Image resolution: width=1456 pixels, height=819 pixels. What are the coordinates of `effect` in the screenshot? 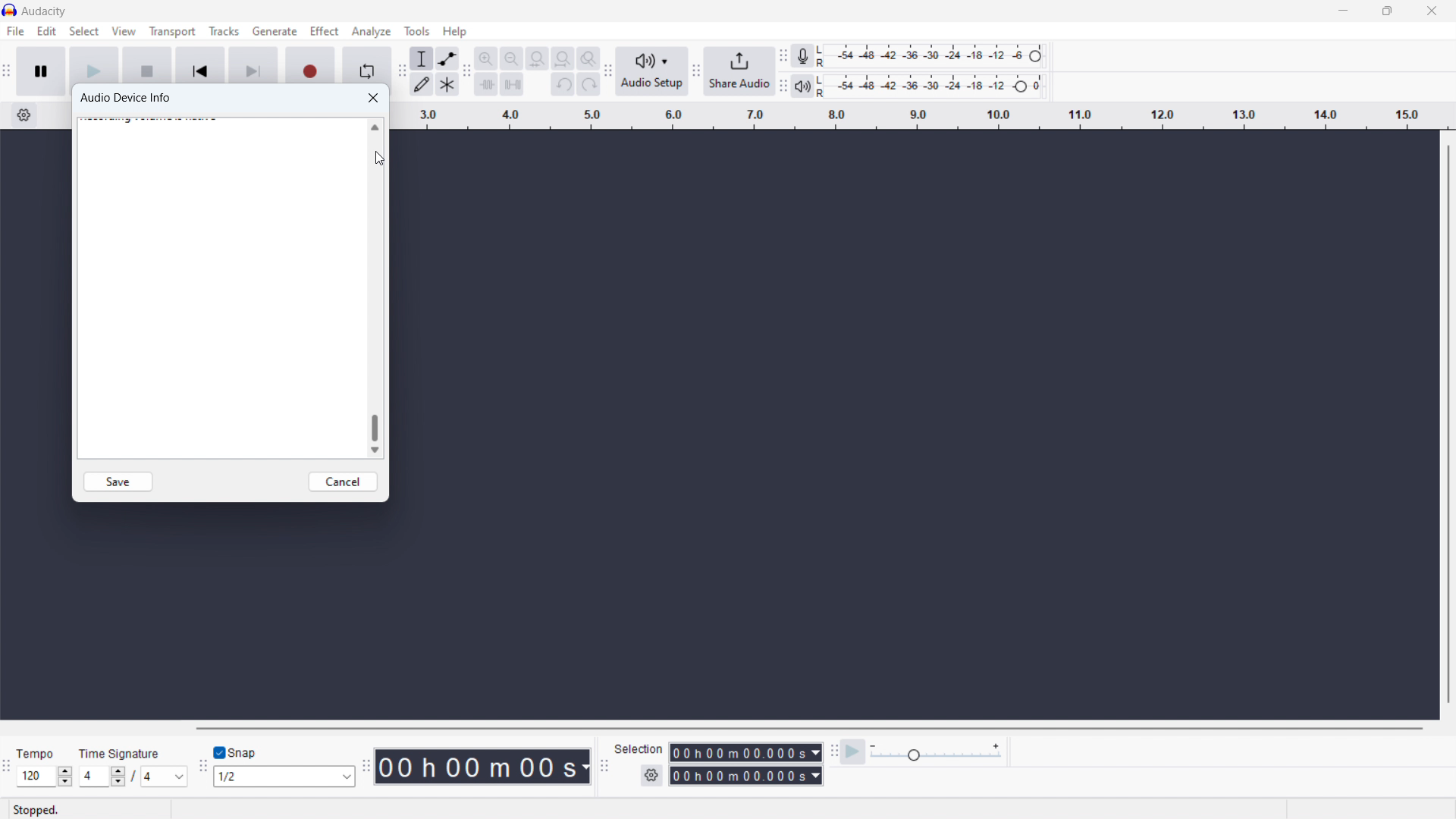 It's located at (325, 30).